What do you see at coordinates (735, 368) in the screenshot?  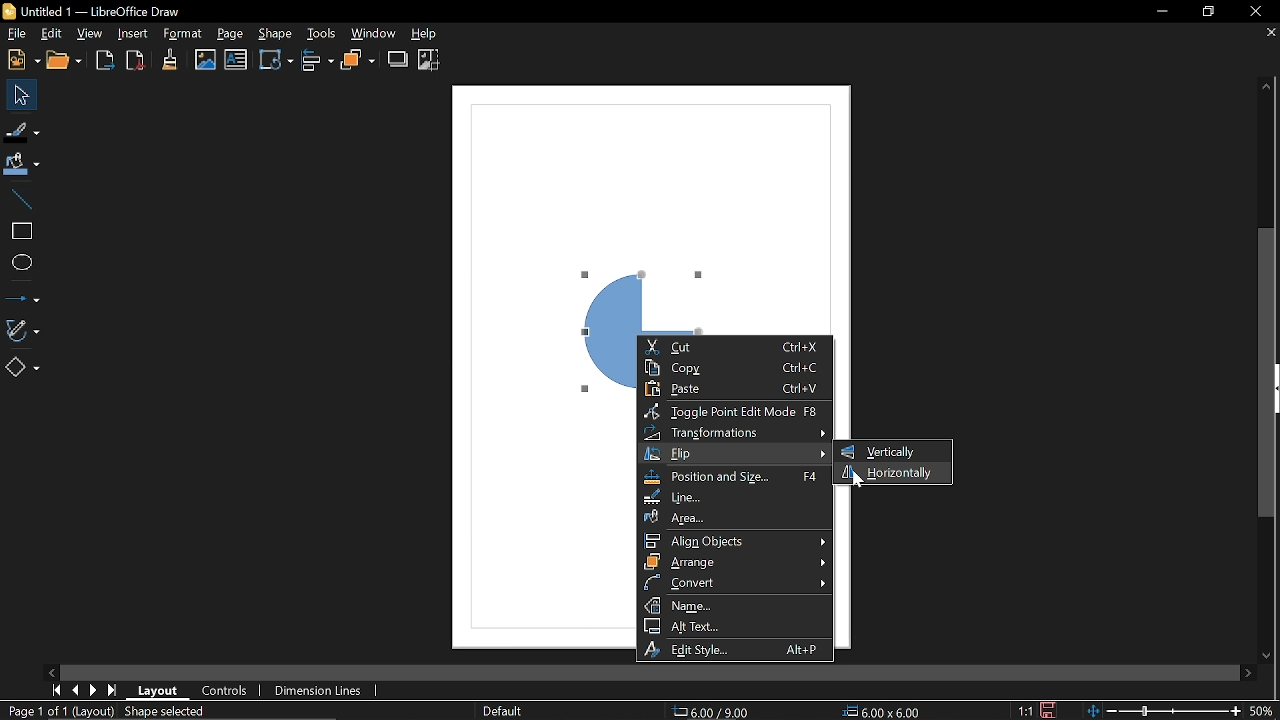 I see `Copy` at bounding box center [735, 368].